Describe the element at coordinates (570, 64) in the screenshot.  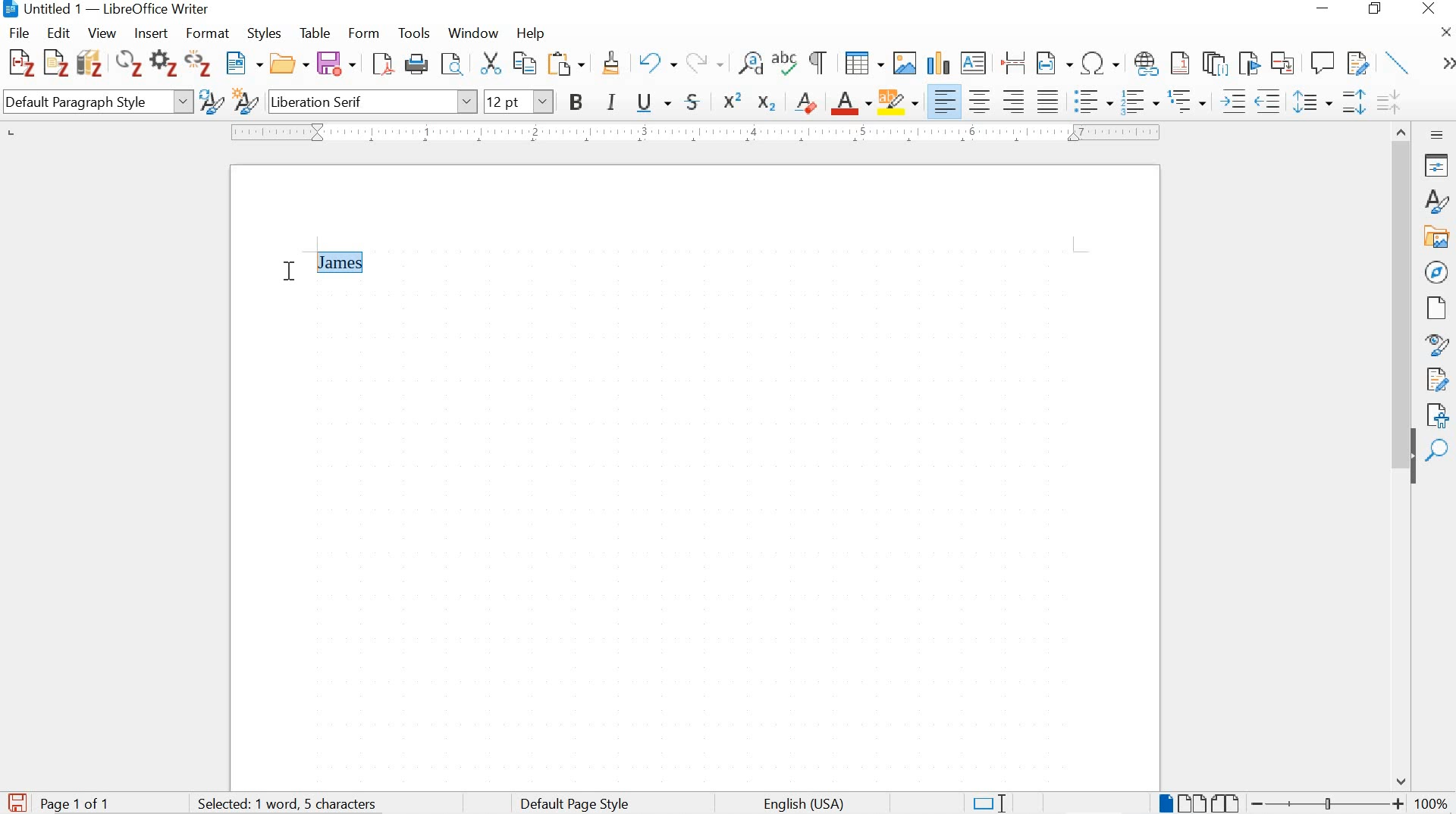
I see `paste` at that location.